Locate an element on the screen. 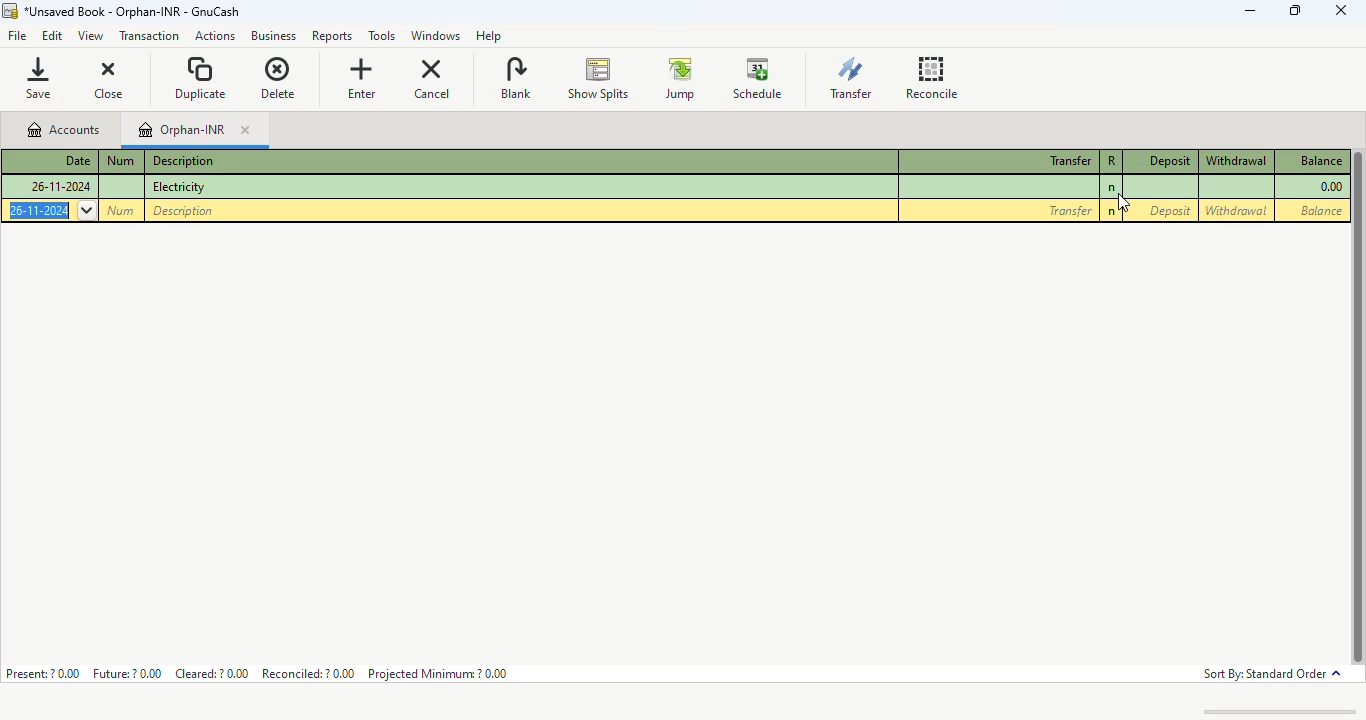  cancel is located at coordinates (432, 78).